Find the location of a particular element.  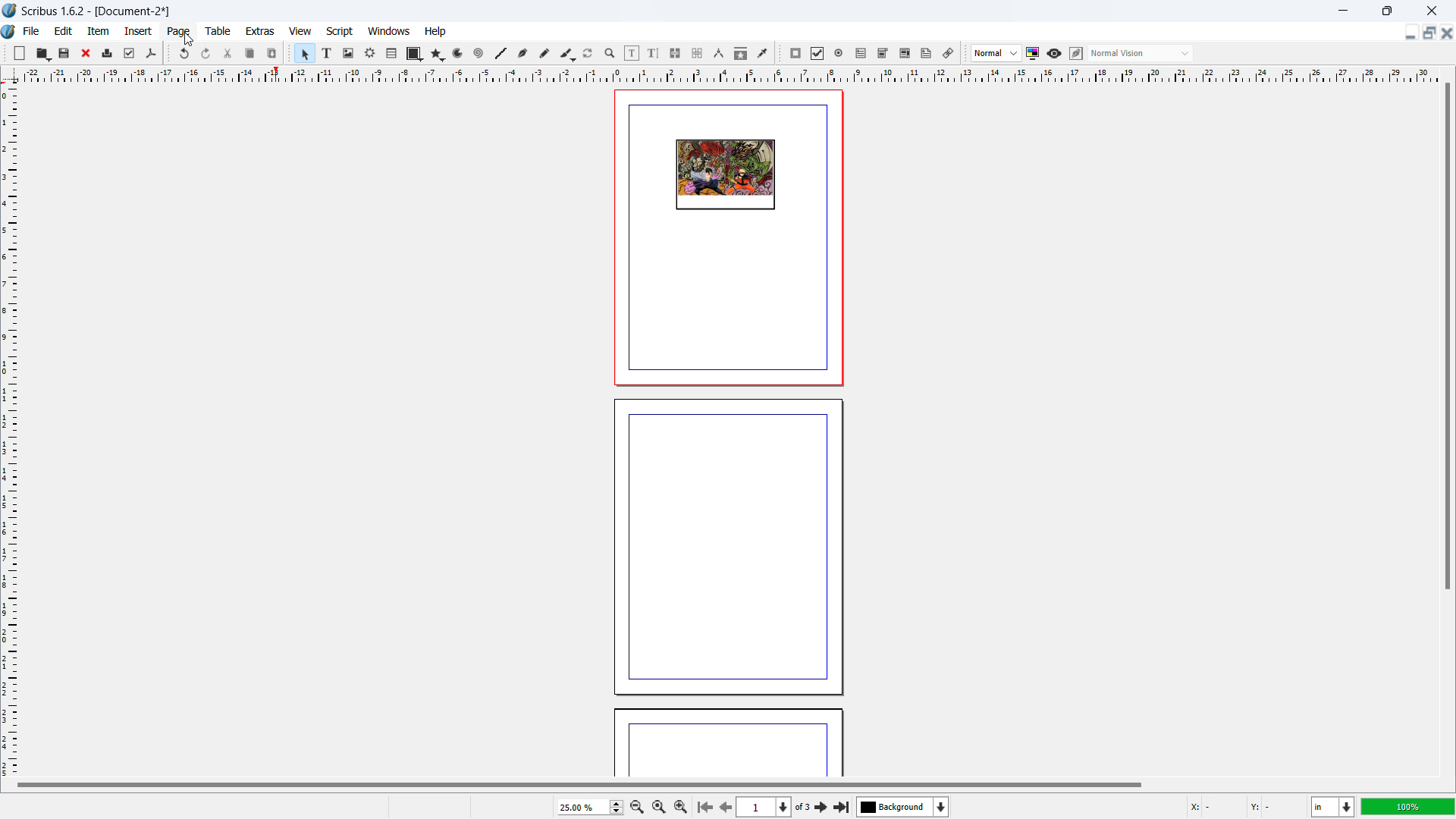

image frame is located at coordinates (348, 53).